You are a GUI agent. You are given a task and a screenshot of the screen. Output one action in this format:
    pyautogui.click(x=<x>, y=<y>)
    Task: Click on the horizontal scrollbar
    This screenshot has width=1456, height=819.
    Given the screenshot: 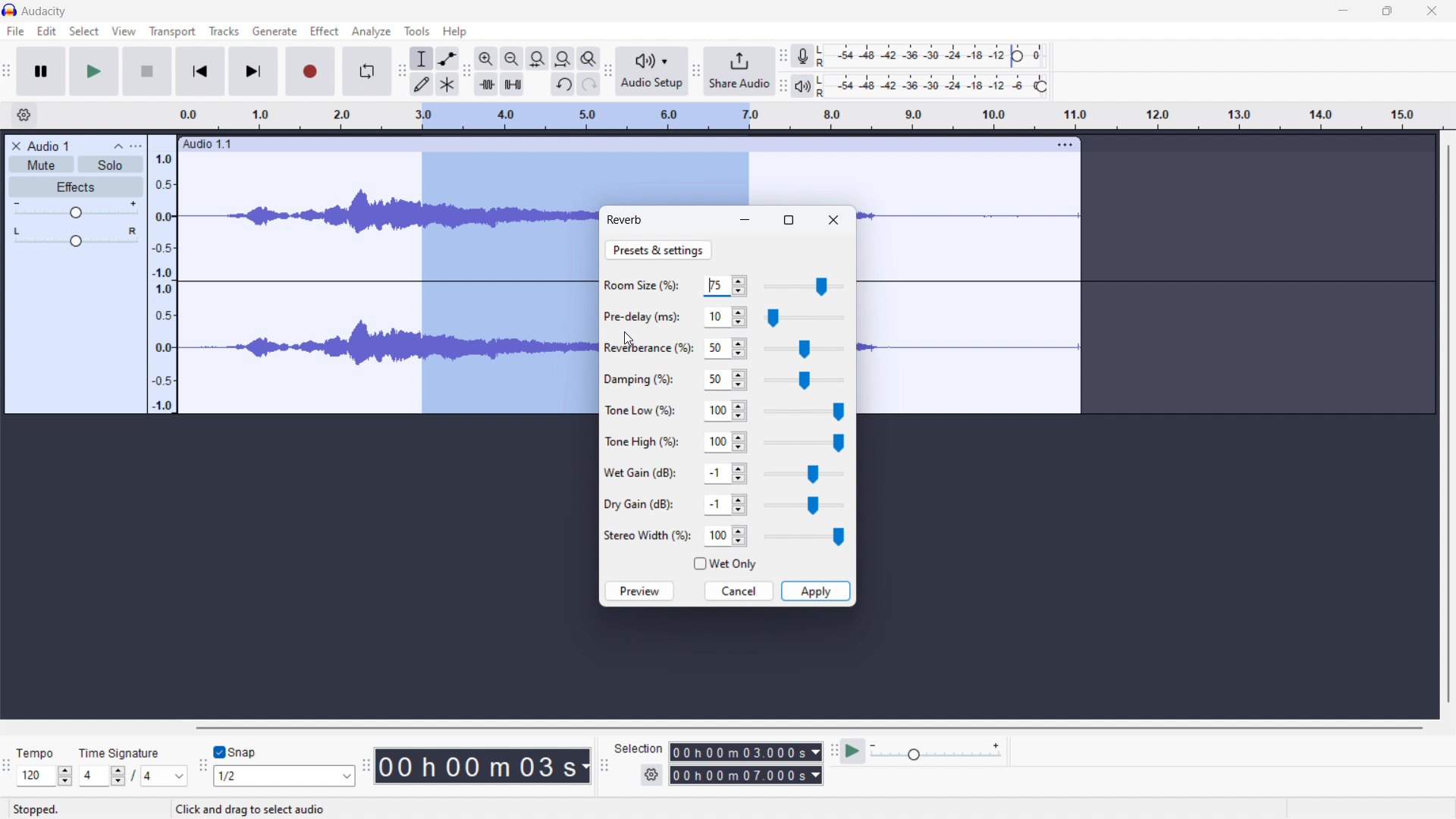 What is the action you would take?
    pyautogui.click(x=811, y=728)
    